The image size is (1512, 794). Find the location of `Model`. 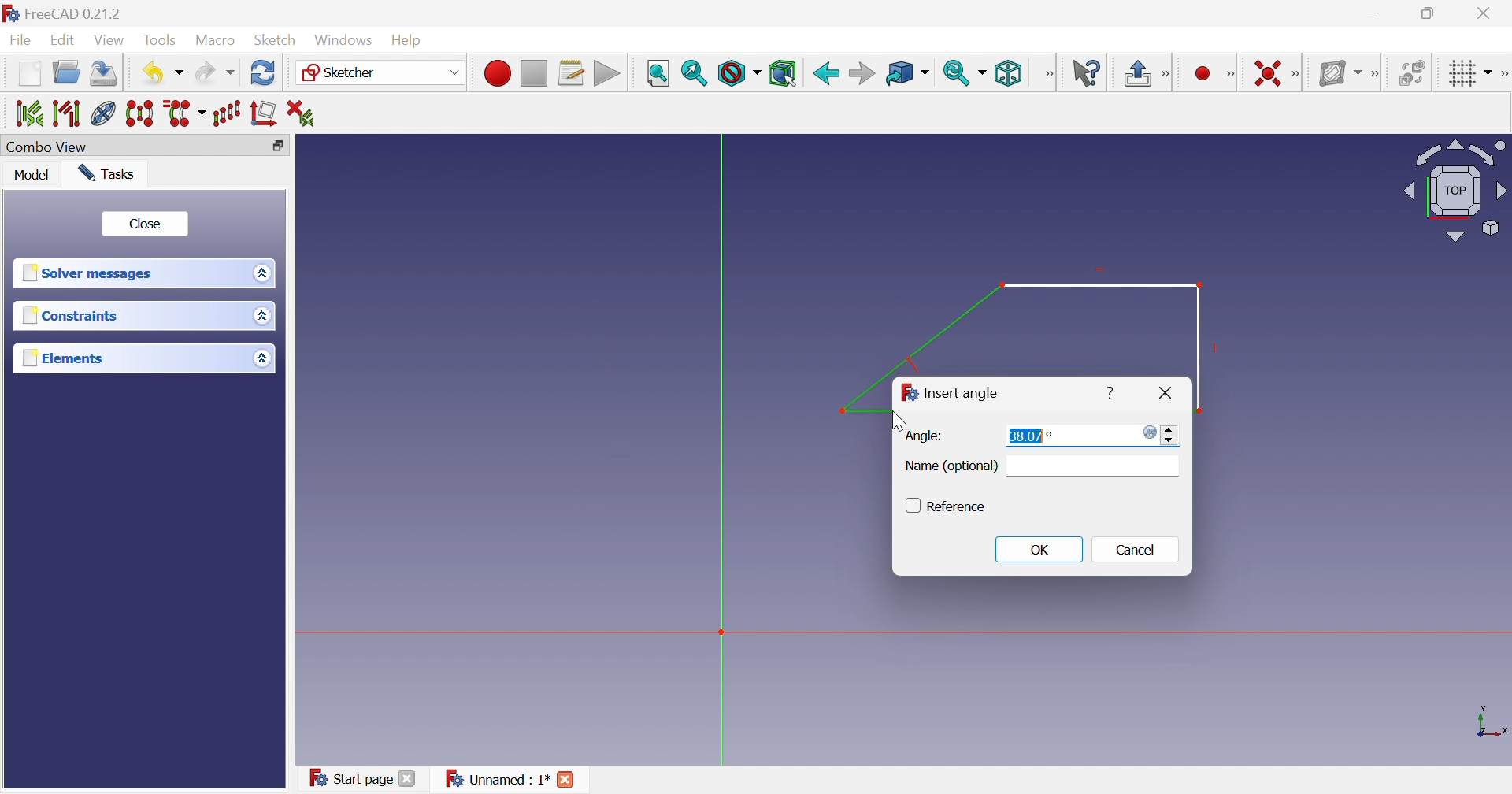

Model is located at coordinates (35, 176).